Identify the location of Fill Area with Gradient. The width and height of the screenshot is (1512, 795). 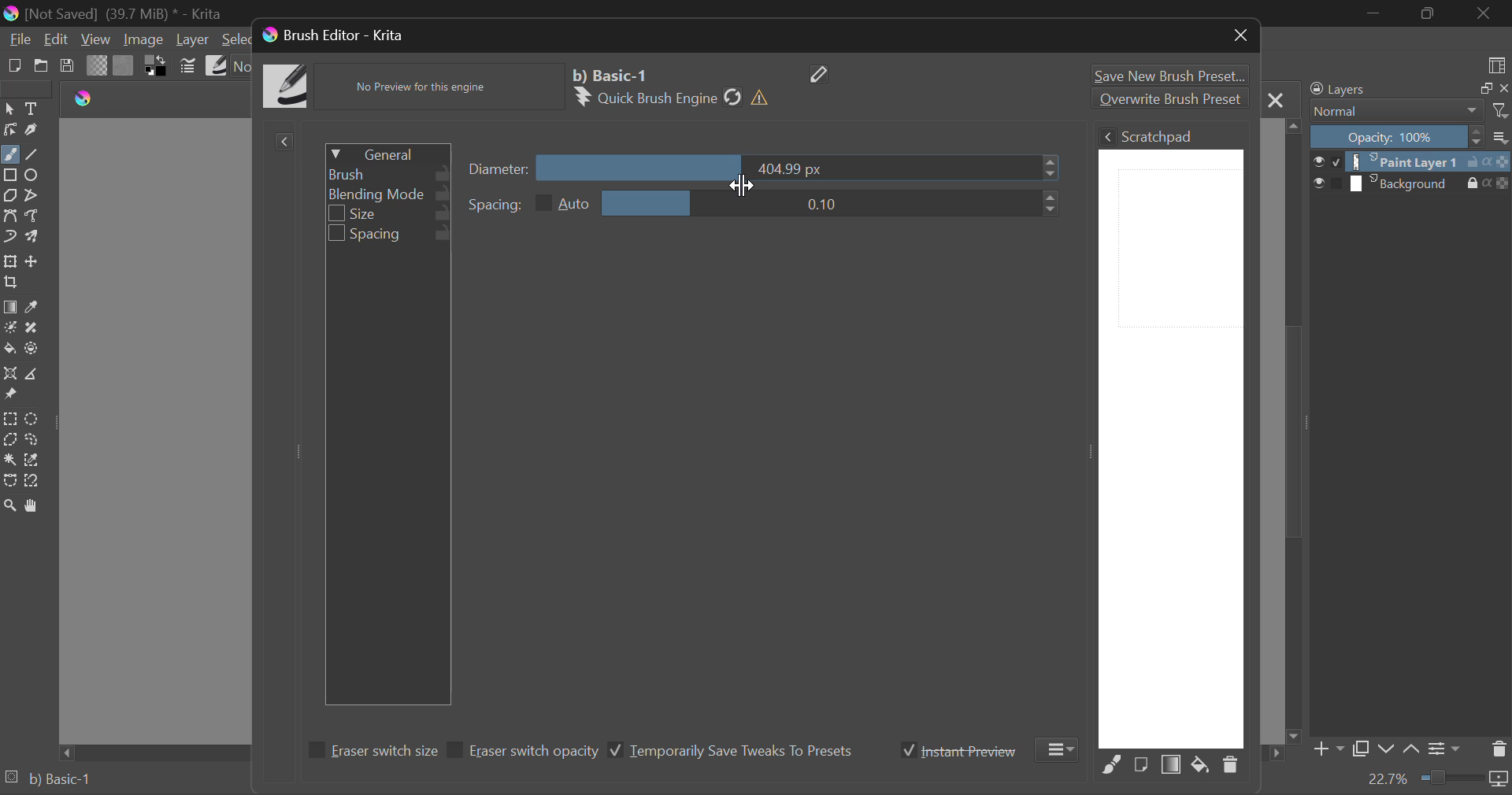
(1172, 766).